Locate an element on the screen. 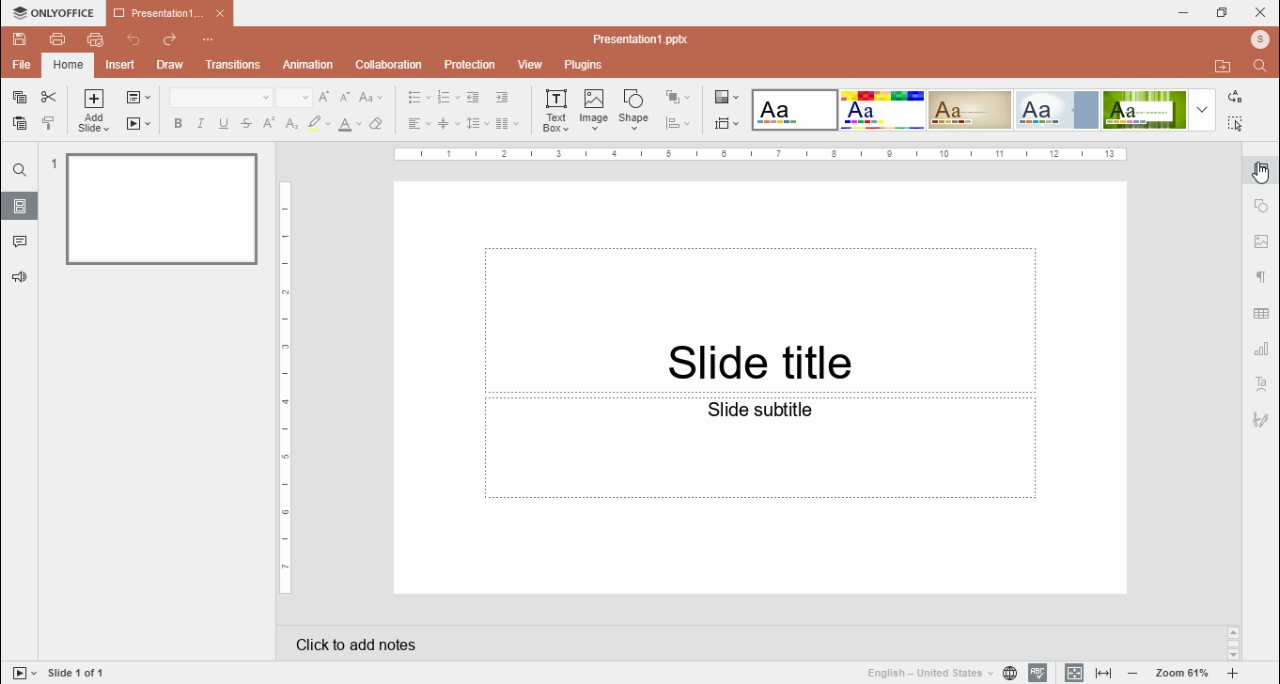 The width and height of the screenshot is (1280, 684). set document language is located at coordinates (1010, 674).